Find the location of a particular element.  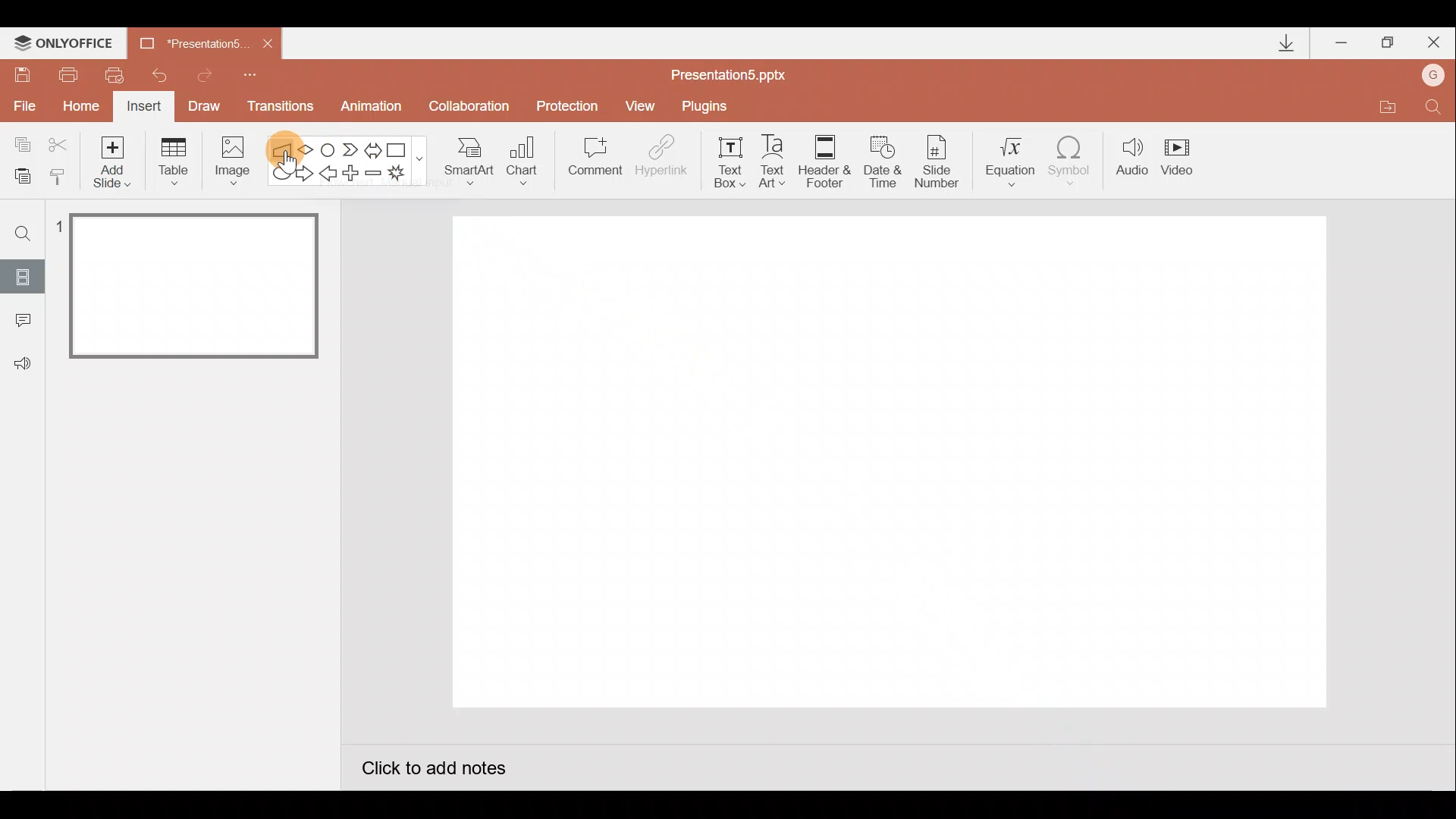

Explosion 1 is located at coordinates (406, 175).